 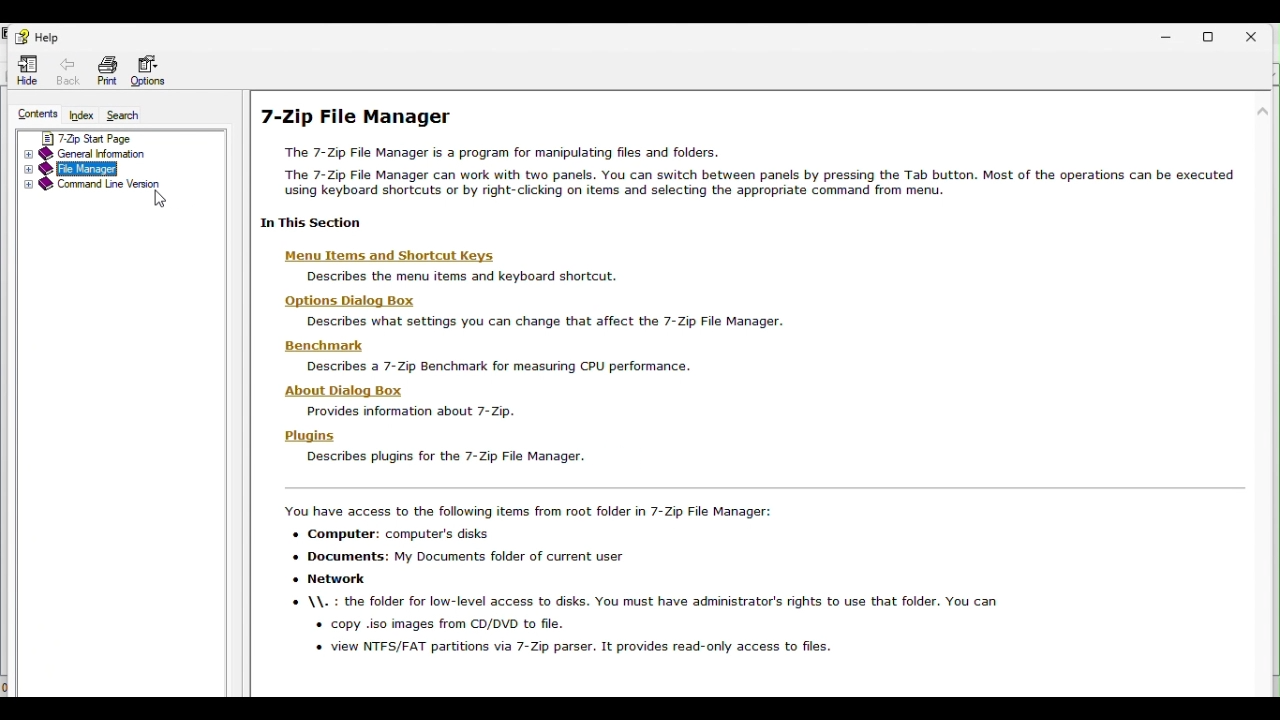 I want to click on 7 zip start page, so click(x=106, y=138).